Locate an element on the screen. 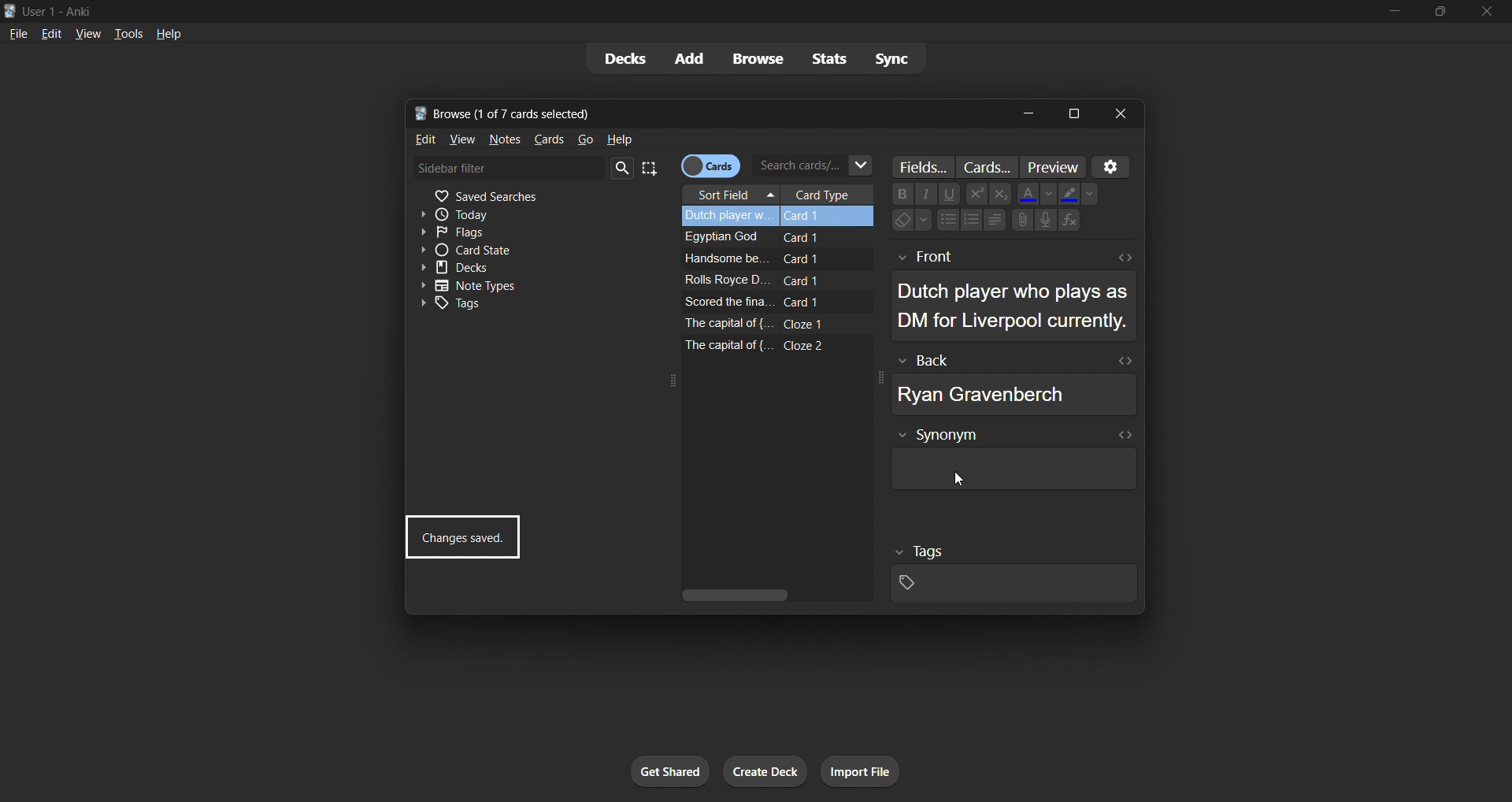  selected card synonym data is located at coordinates (1012, 461).